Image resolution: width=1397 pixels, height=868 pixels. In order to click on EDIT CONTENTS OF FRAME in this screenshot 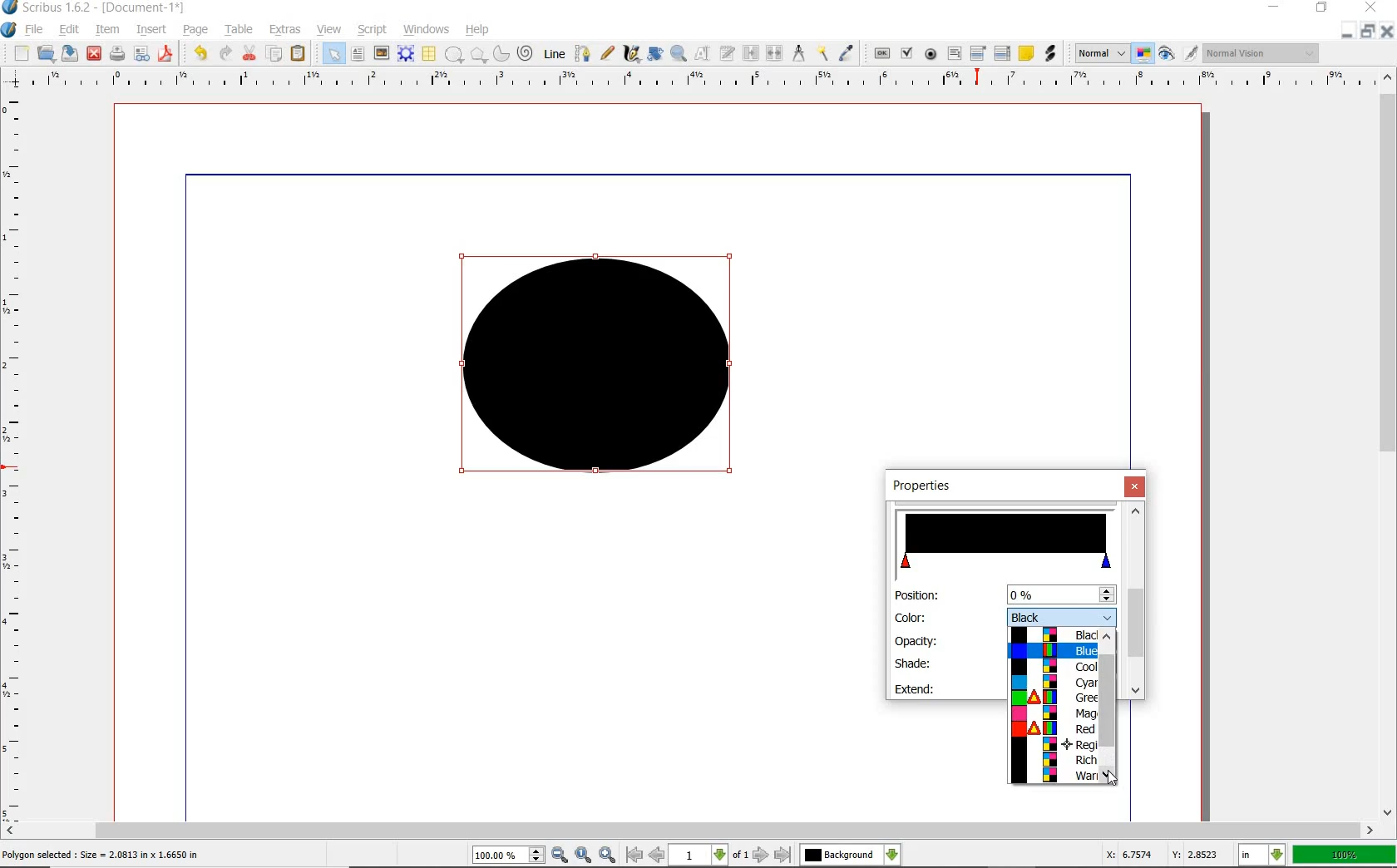, I will do `click(702, 52)`.